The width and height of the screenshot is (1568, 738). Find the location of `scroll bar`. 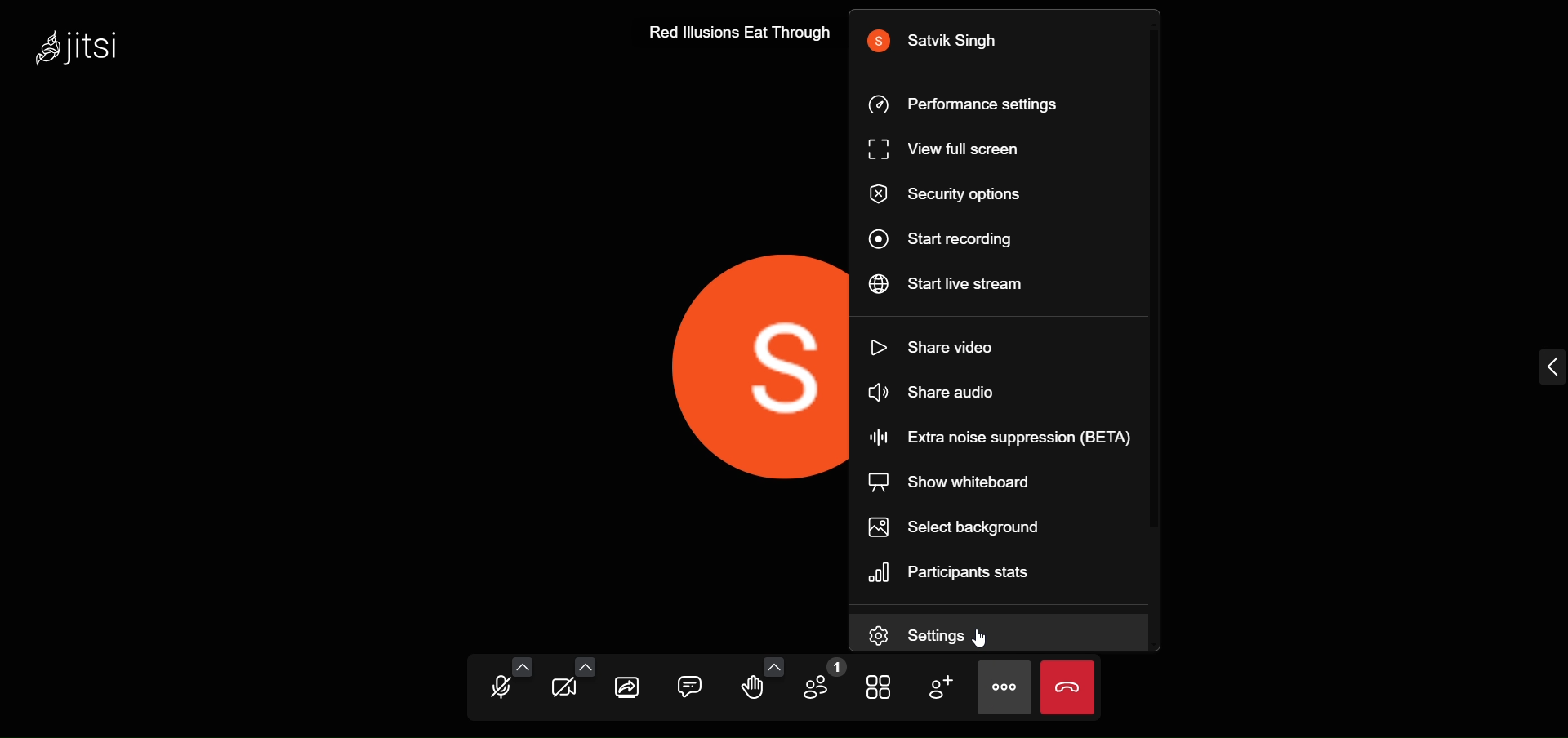

scroll bar is located at coordinates (1173, 283).